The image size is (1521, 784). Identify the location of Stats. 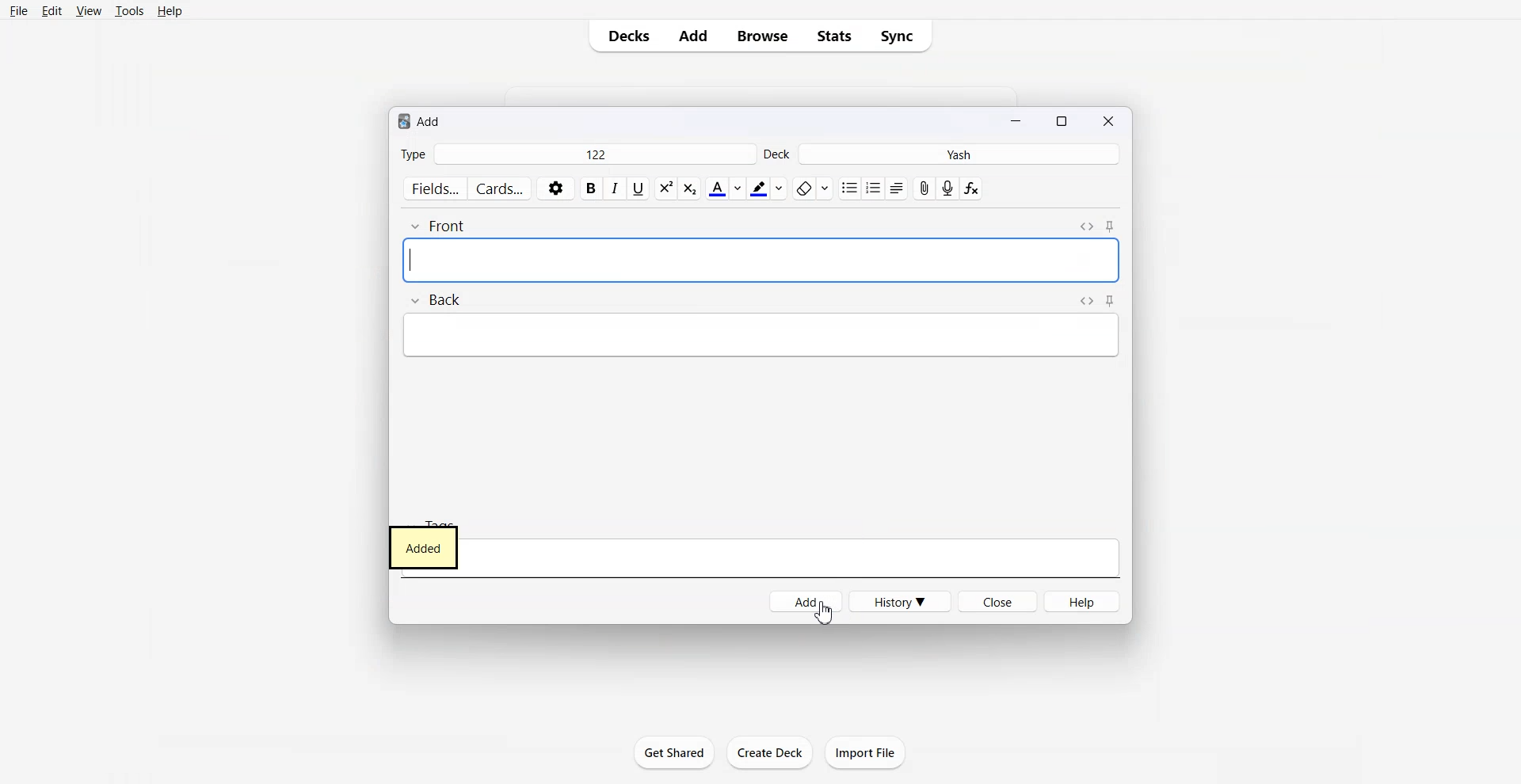
(837, 36).